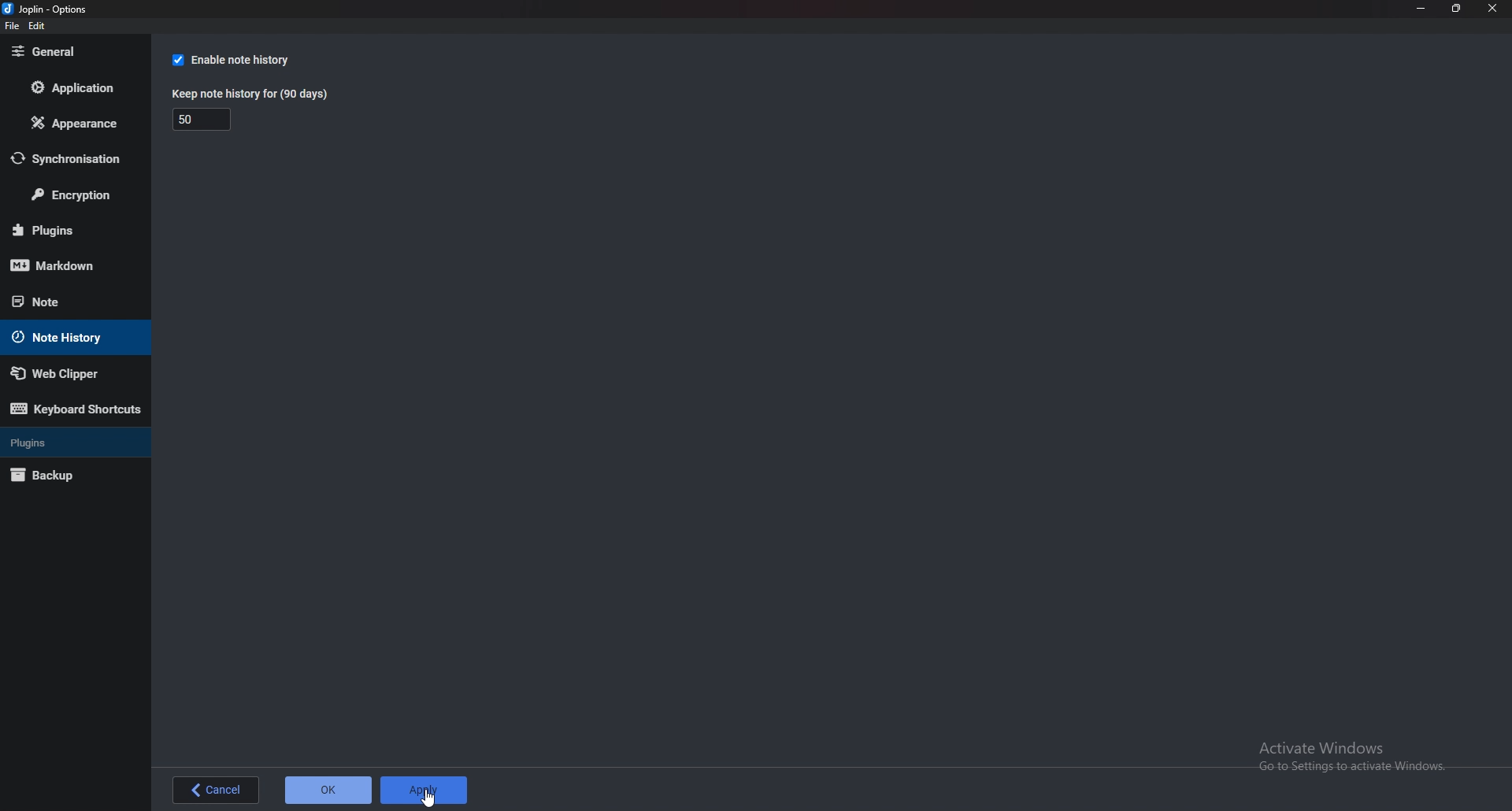 This screenshot has height=811, width=1512. I want to click on Synchronization, so click(73, 159).